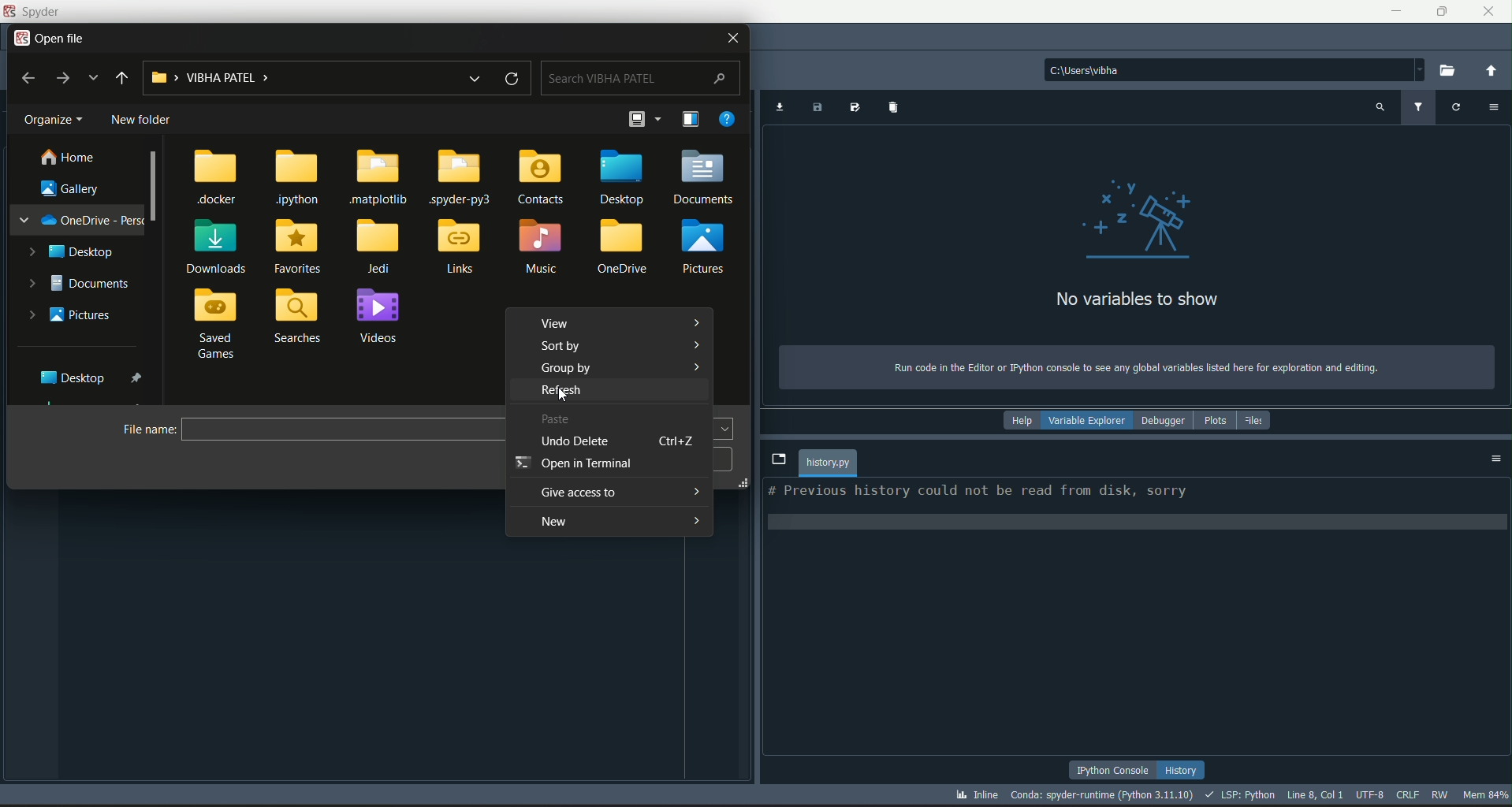  What do you see at coordinates (460, 246) in the screenshot?
I see `links` at bounding box center [460, 246].